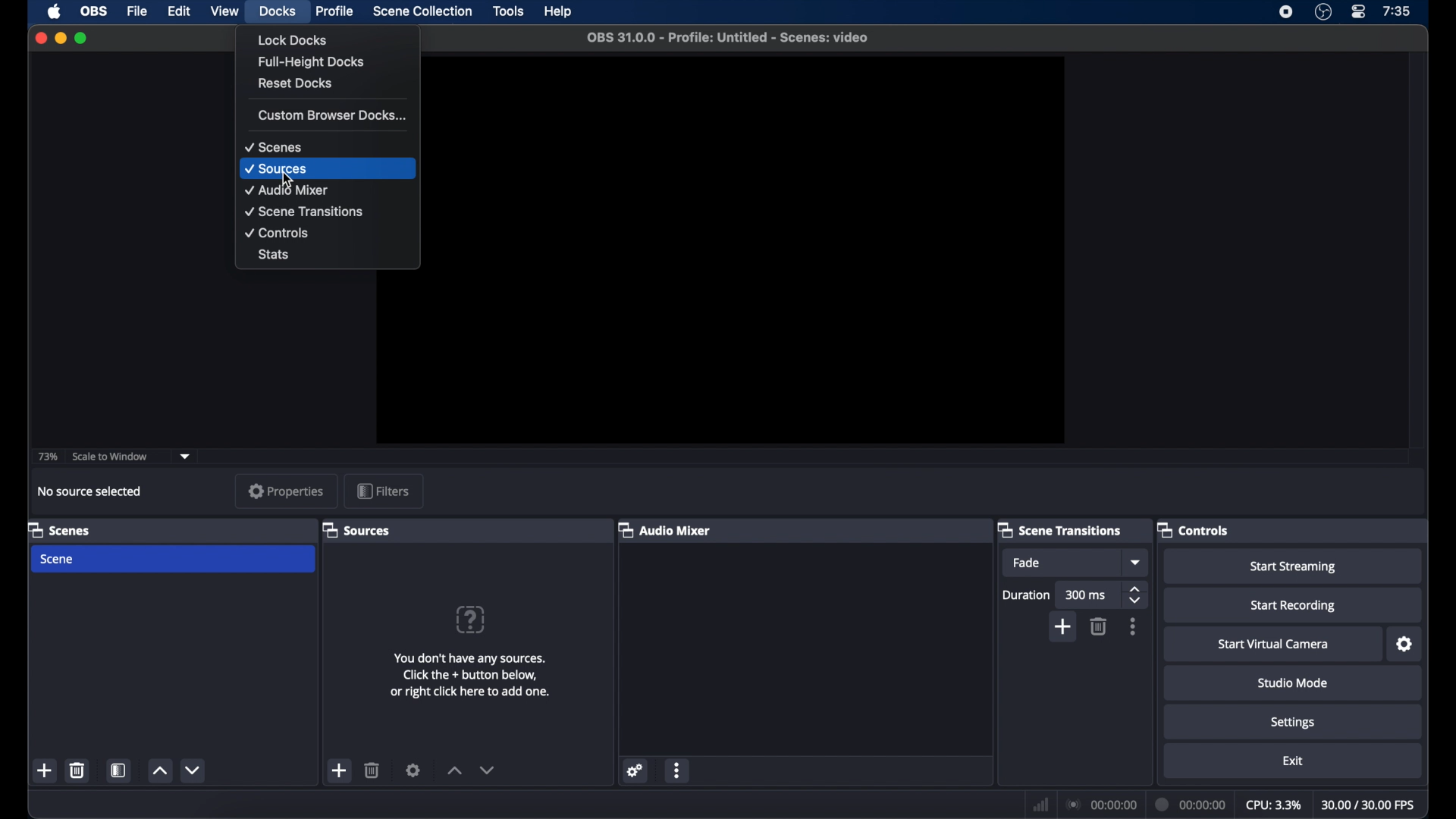  I want to click on scene, so click(174, 560).